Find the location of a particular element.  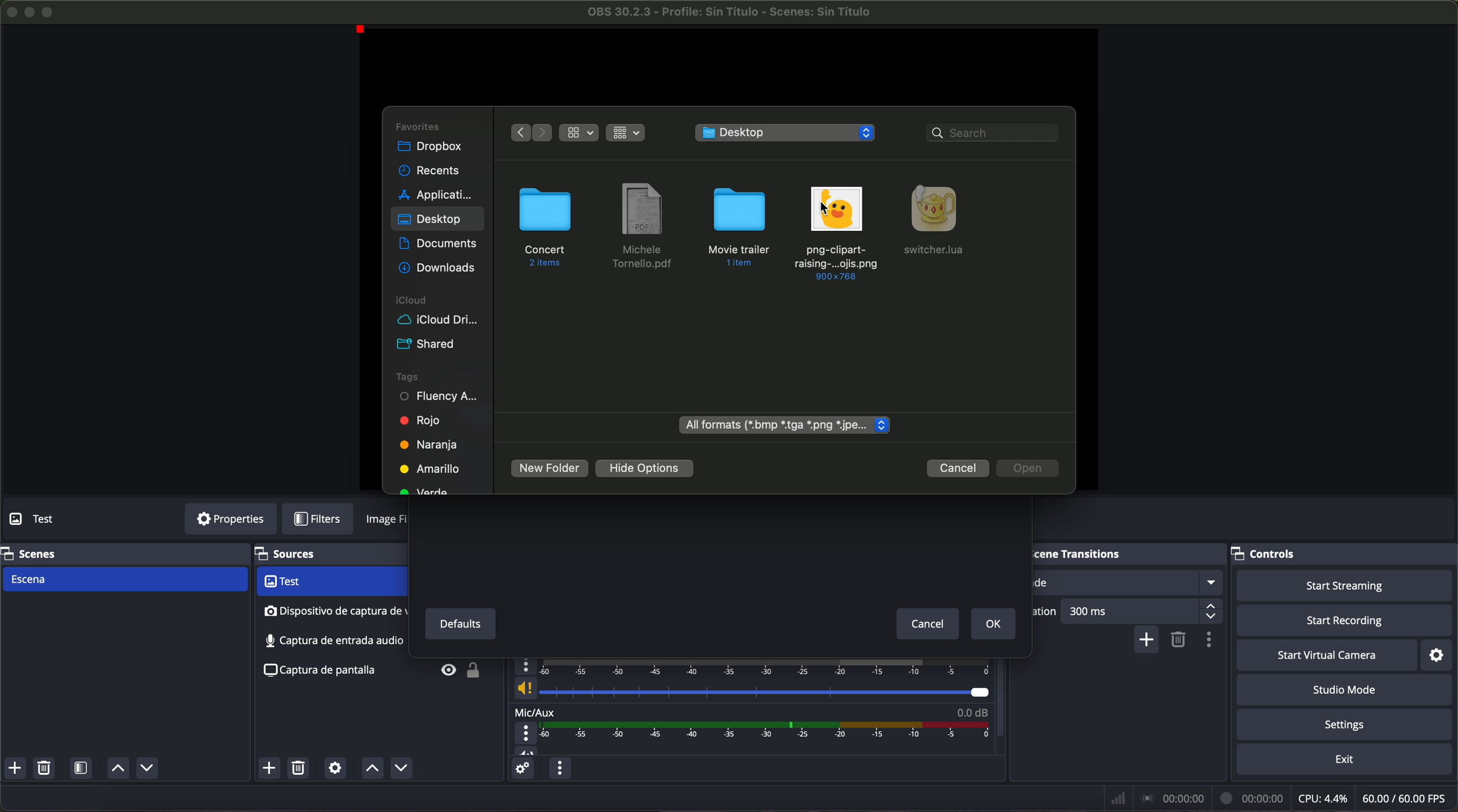

navigate arrows is located at coordinates (531, 132).